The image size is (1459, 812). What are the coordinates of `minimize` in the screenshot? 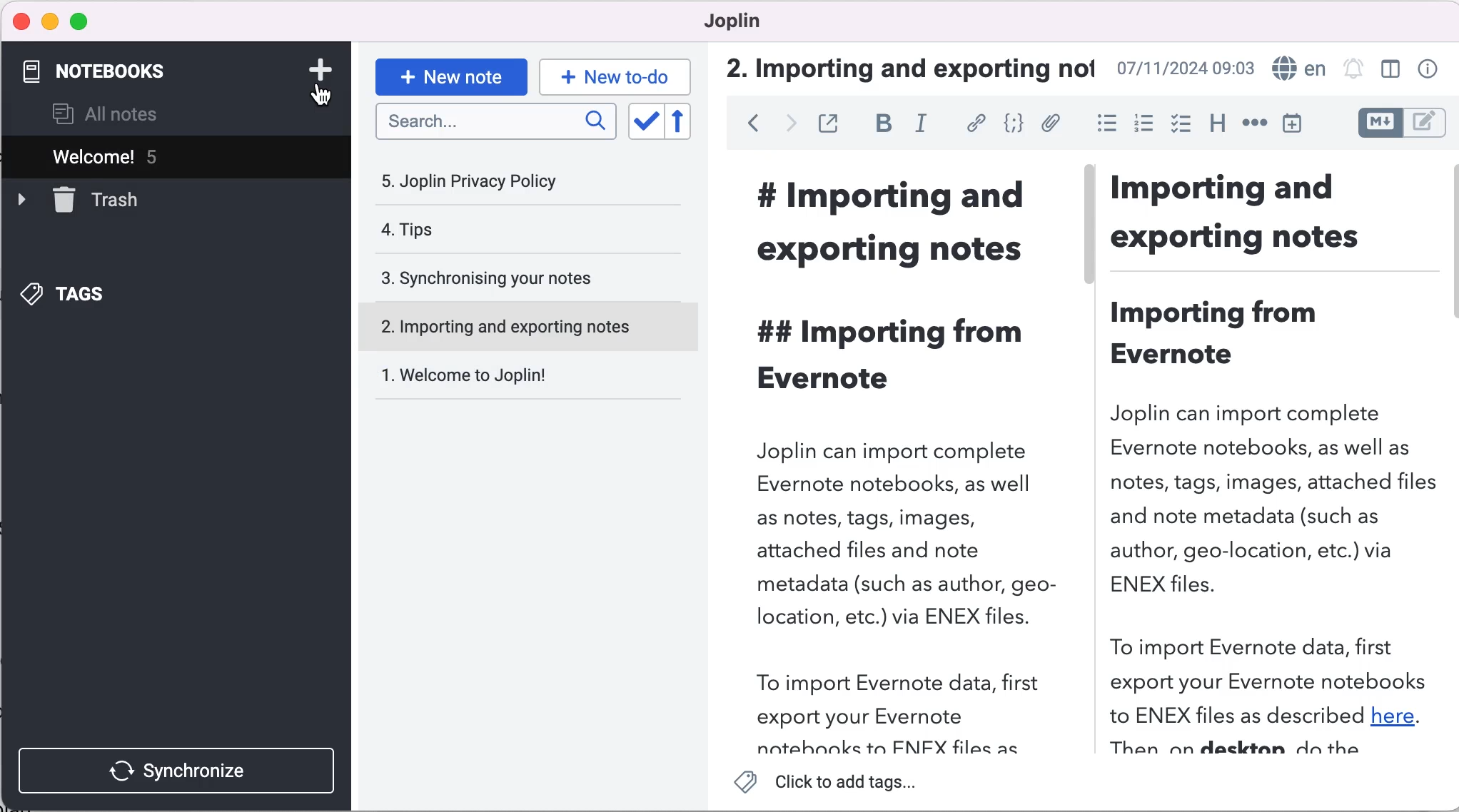 It's located at (50, 21).